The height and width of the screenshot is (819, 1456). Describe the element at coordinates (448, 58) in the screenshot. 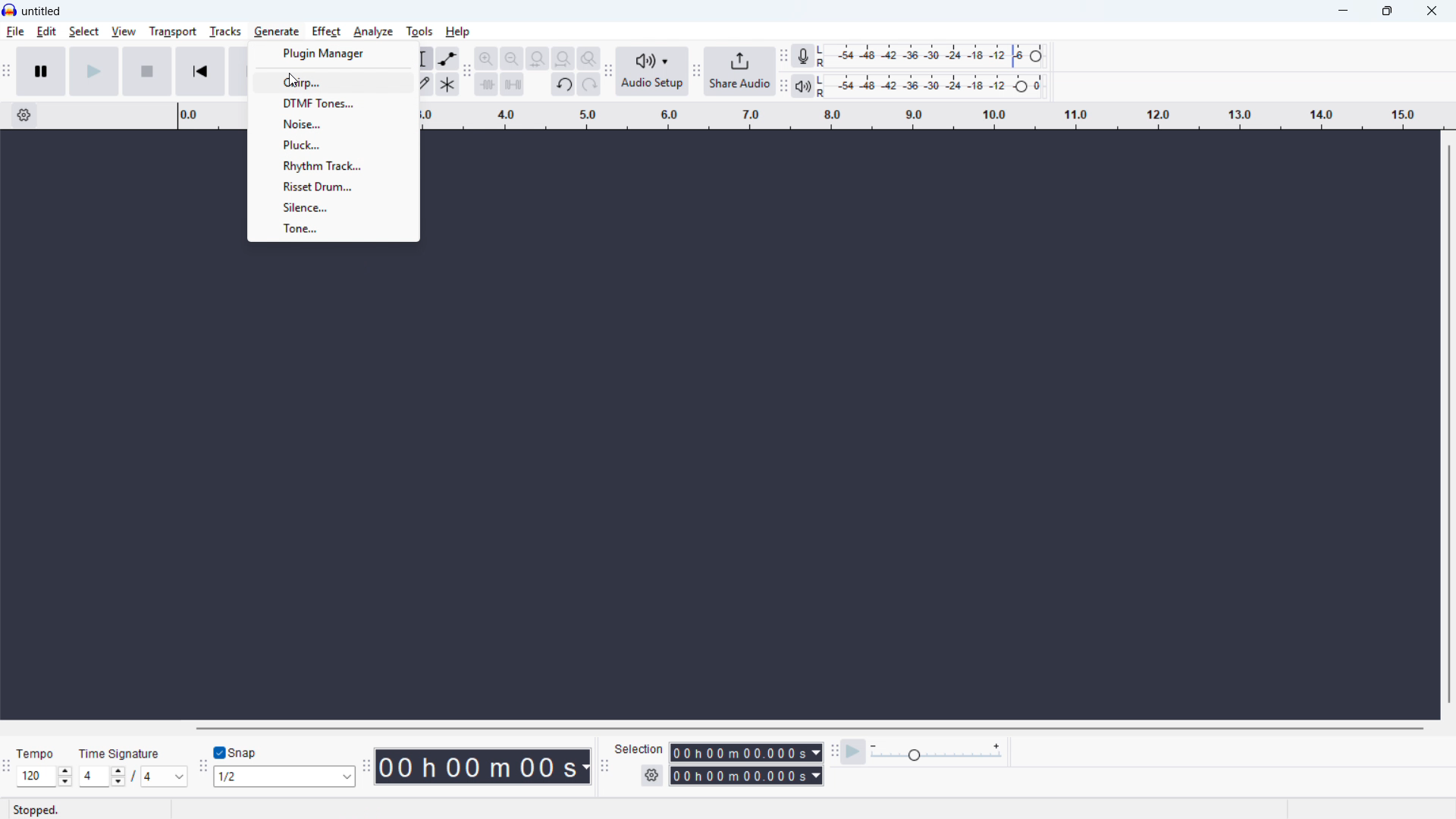

I see `Envelope tool` at that location.